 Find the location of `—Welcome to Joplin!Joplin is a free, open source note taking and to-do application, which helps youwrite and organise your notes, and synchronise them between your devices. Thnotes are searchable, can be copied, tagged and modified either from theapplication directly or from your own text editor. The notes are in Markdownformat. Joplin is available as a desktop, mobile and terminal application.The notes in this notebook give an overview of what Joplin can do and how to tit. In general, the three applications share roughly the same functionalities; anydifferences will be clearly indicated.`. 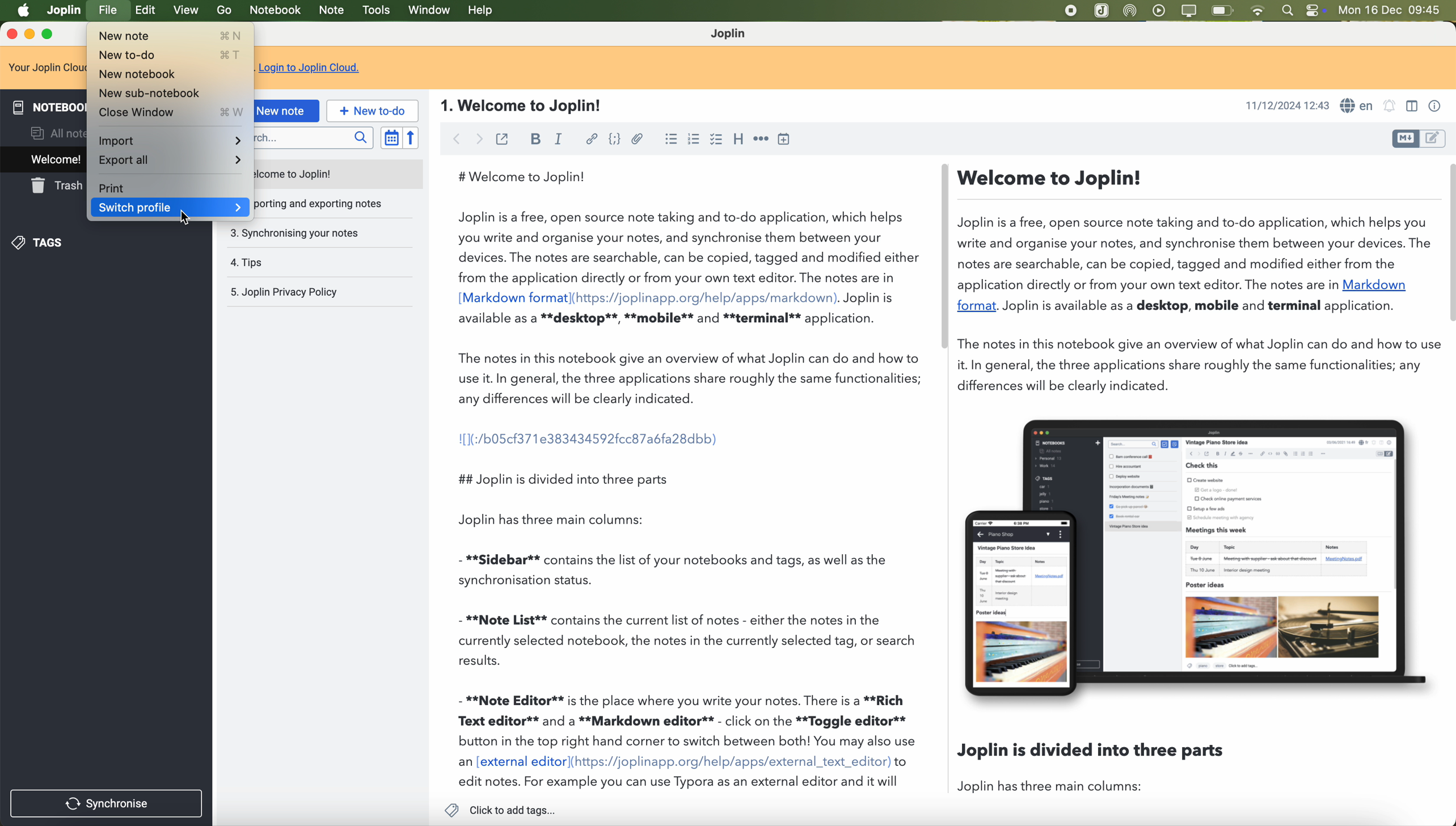

—Welcome to Joplin!Joplin is a free, open source note taking and to-do application, which helps youwrite and organise your notes, and synchronise them between your devices. Thnotes are searchable, can be copied, tagged and modified either from theapplication directly or from your own text editor. The notes are in Markdownformat. Joplin is available as a desktop, mobile and terminal application.The notes in this notebook give an overview of what Joplin can do and how to tit. In general, the three applications share roughly the same functionalities; anydifferences will be clearly indicated. is located at coordinates (1192, 283).